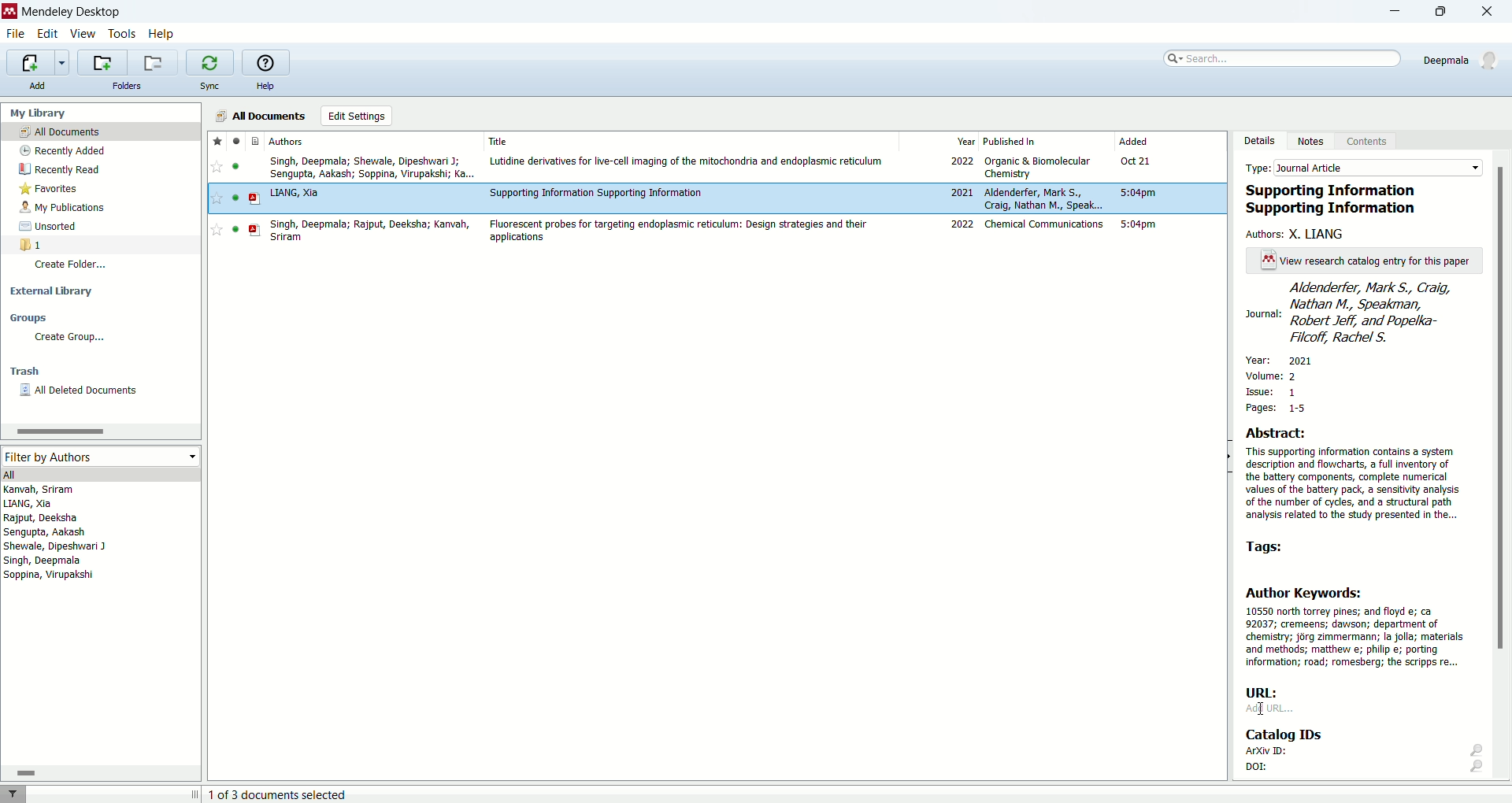 This screenshot has height=803, width=1512. Describe the element at coordinates (961, 191) in the screenshot. I see `2021` at that location.